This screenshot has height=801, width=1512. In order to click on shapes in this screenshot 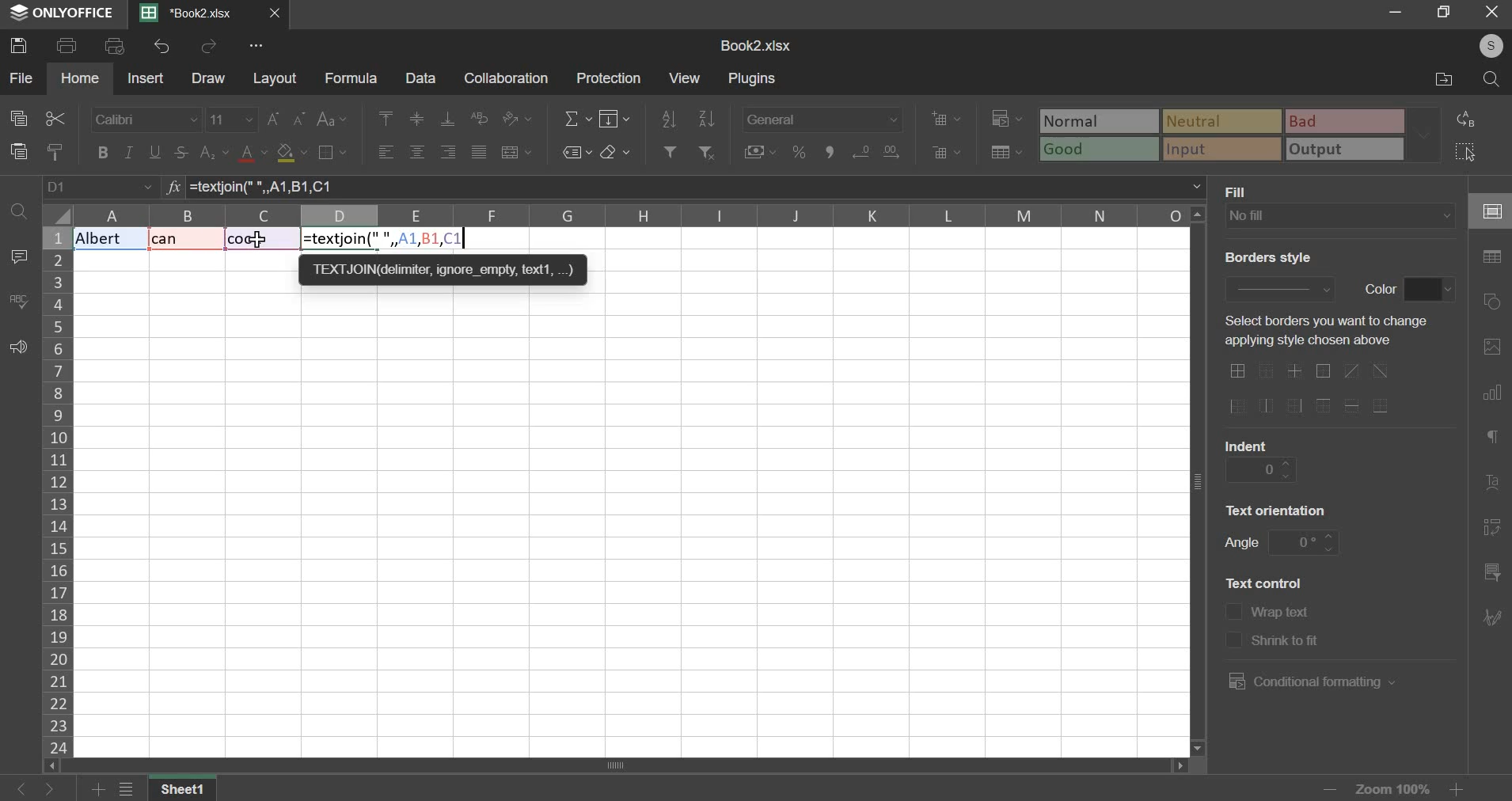, I will do `click(1495, 302)`.